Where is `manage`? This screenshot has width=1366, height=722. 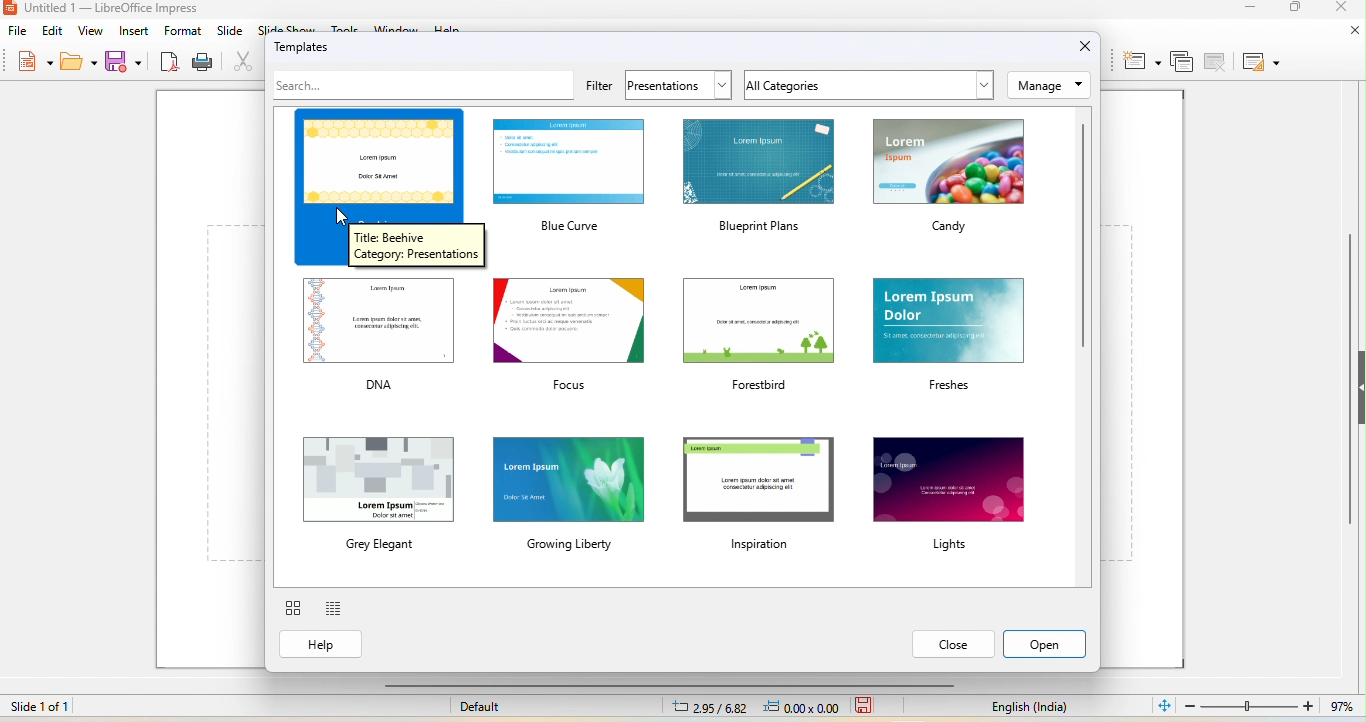
manage is located at coordinates (1048, 85).